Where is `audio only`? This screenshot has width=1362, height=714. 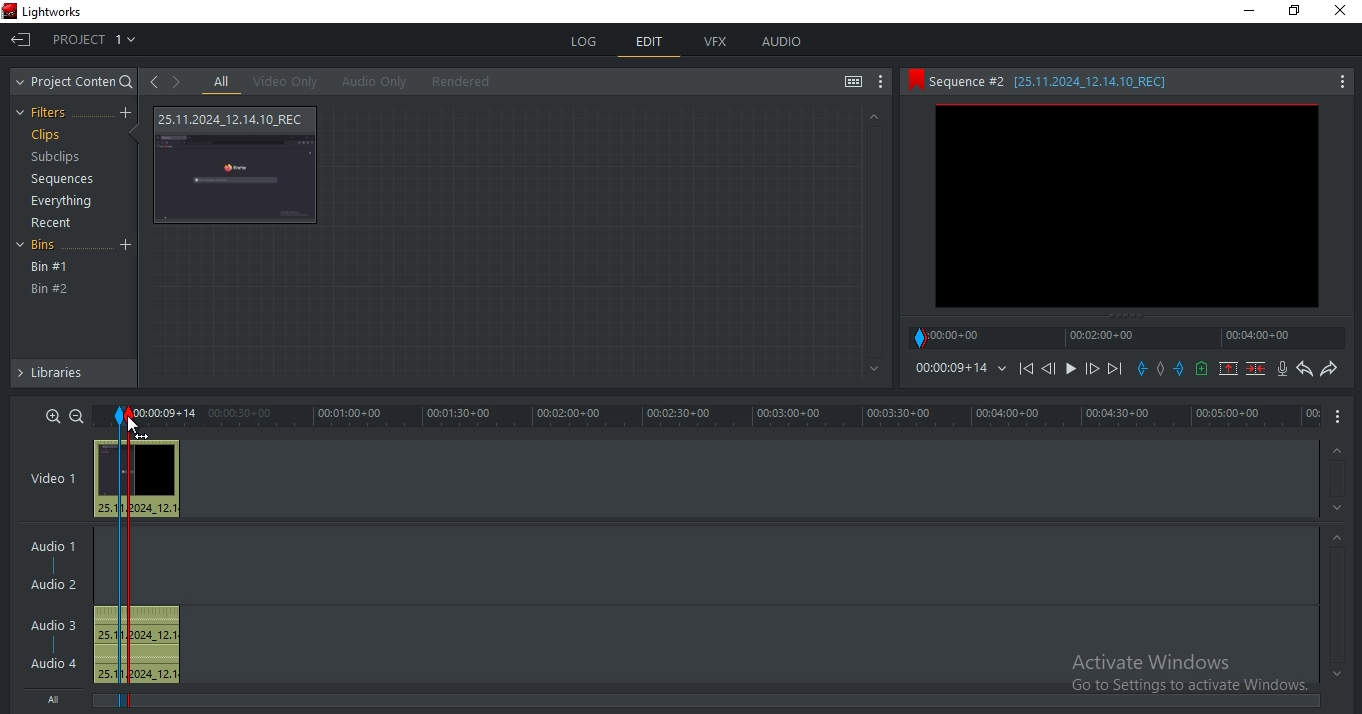
audio only is located at coordinates (371, 82).